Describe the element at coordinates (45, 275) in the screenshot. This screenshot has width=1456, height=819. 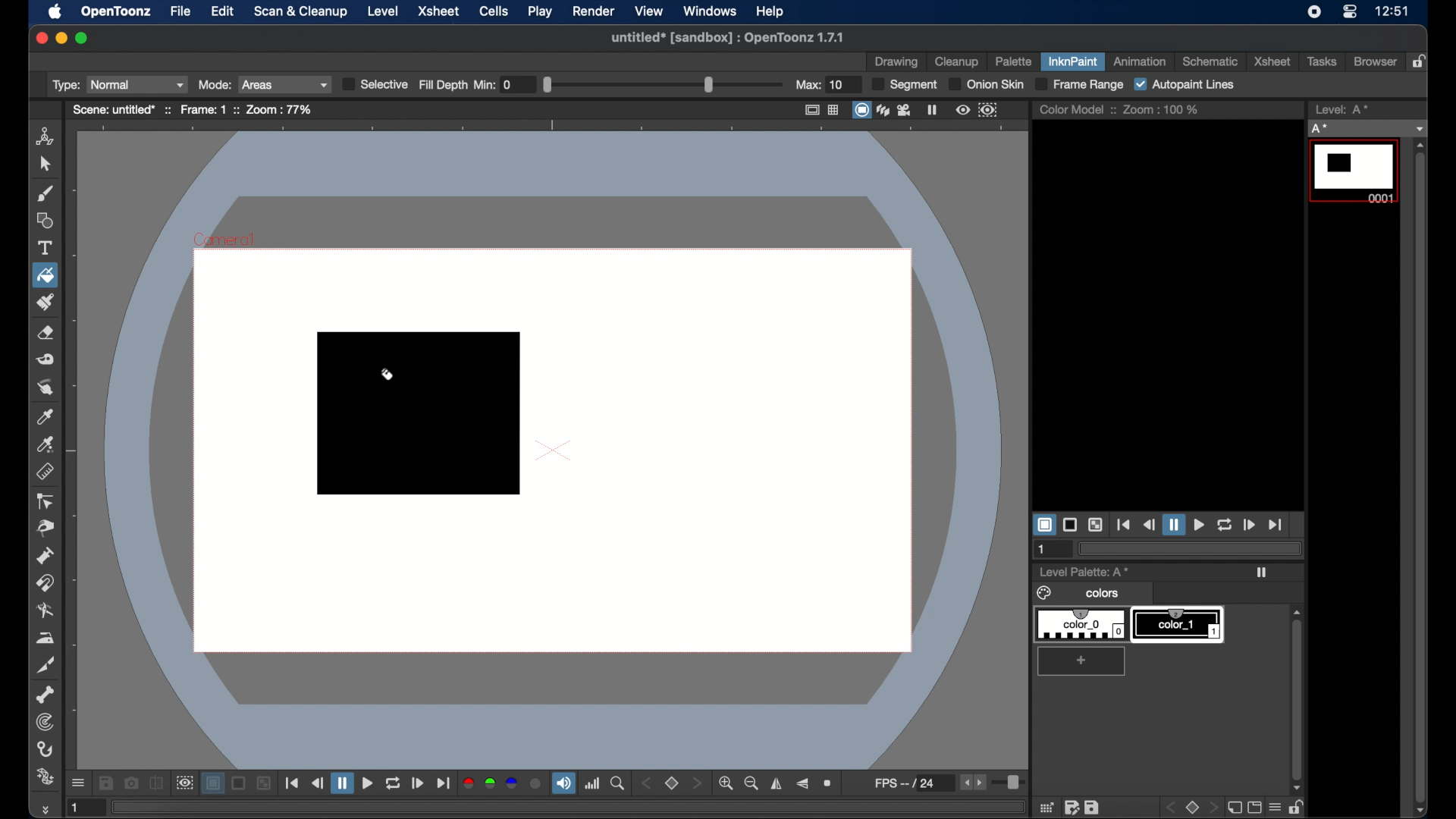
I see `fill tool` at that location.